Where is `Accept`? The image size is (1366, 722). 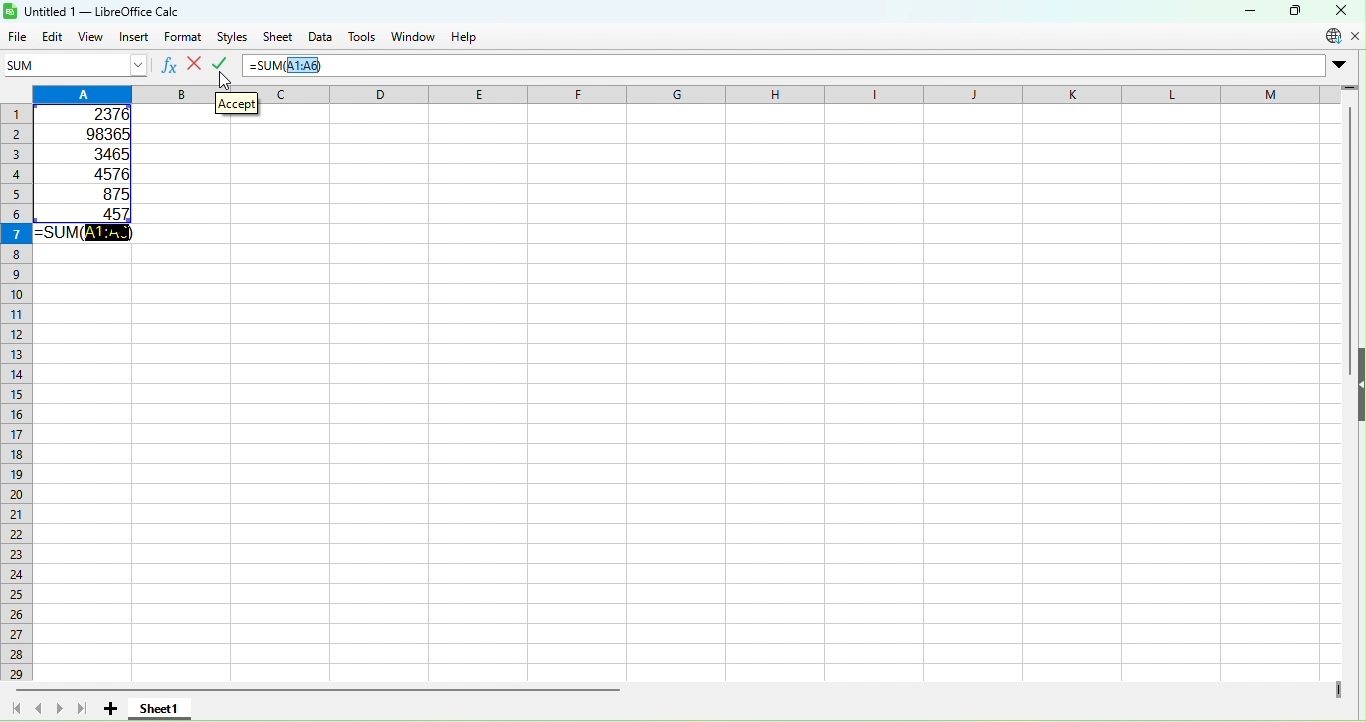 Accept is located at coordinates (238, 101).